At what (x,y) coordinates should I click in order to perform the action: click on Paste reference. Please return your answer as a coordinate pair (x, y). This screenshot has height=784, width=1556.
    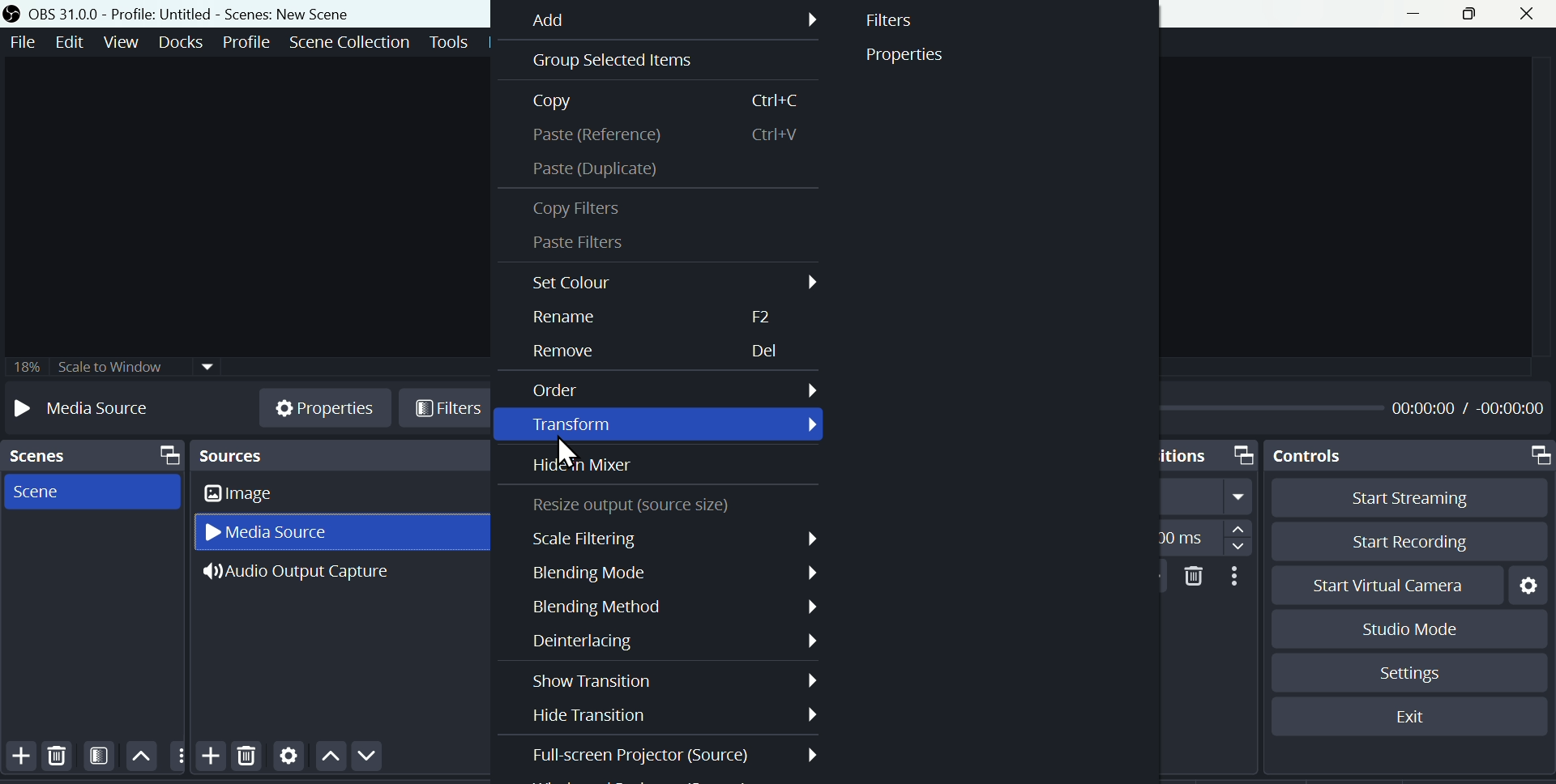
    Looking at the image, I should click on (662, 138).